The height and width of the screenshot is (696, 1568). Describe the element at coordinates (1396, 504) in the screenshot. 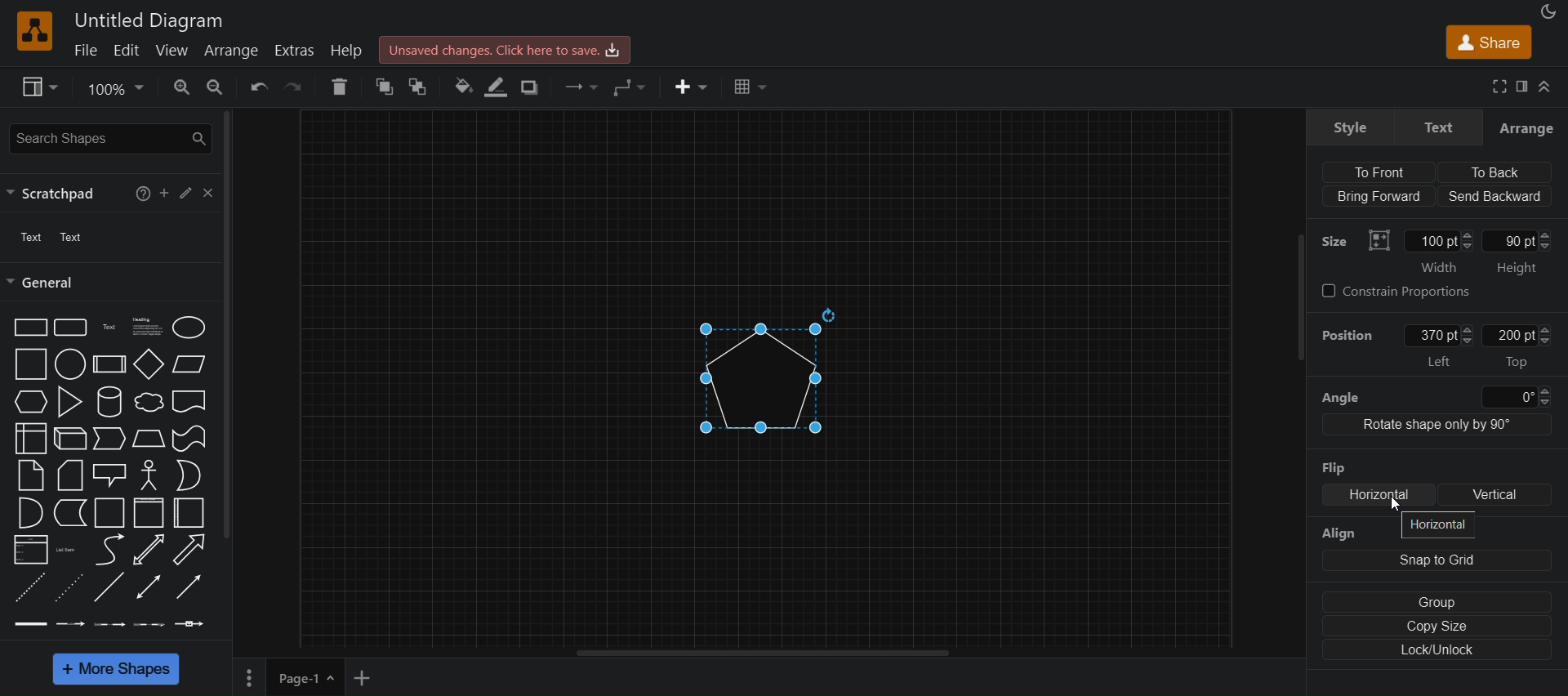

I see `Cursor` at that location.